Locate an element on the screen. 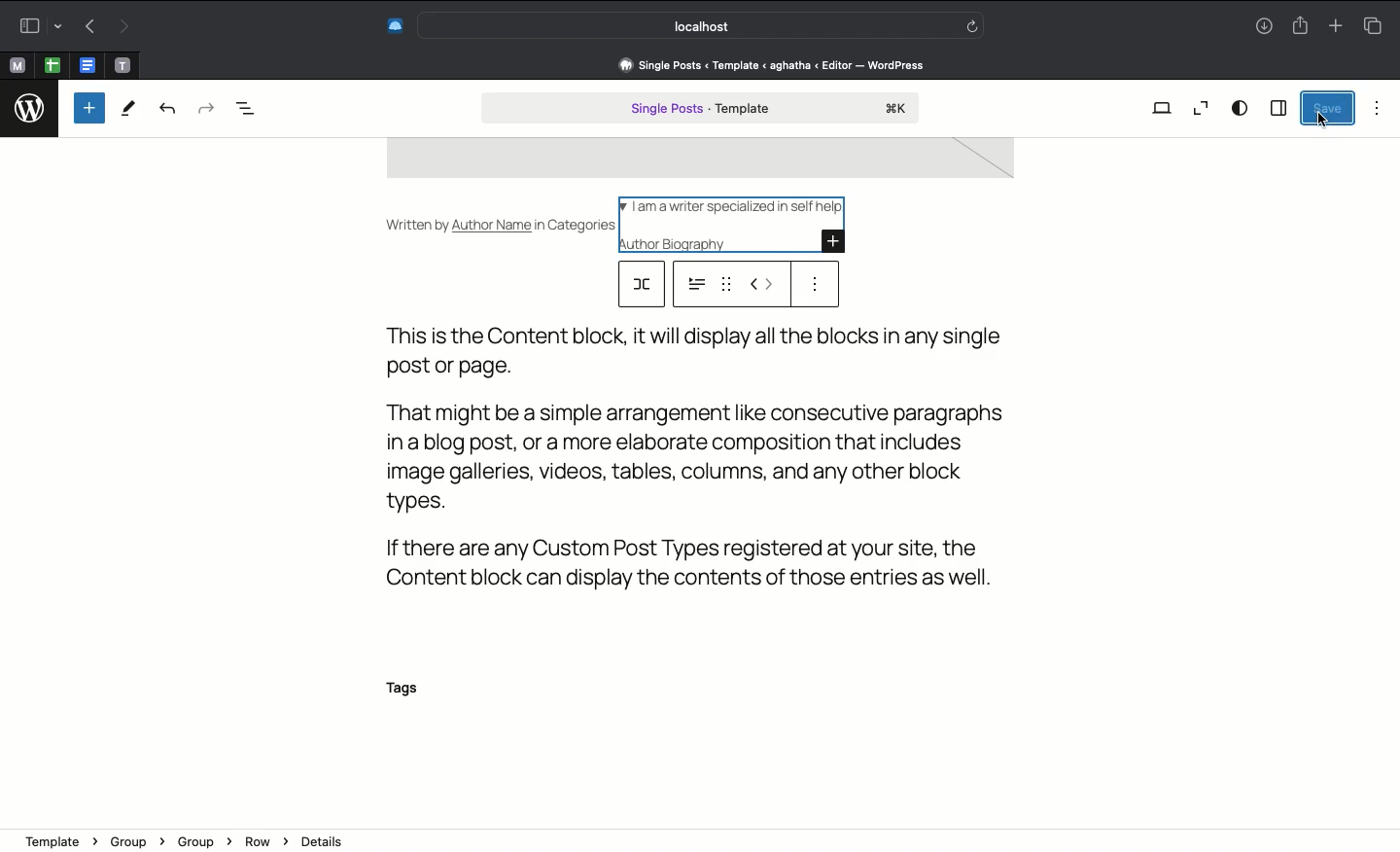 The height and width of the screenshot is (852, 1400). View is located at coordinates (1163, 107).